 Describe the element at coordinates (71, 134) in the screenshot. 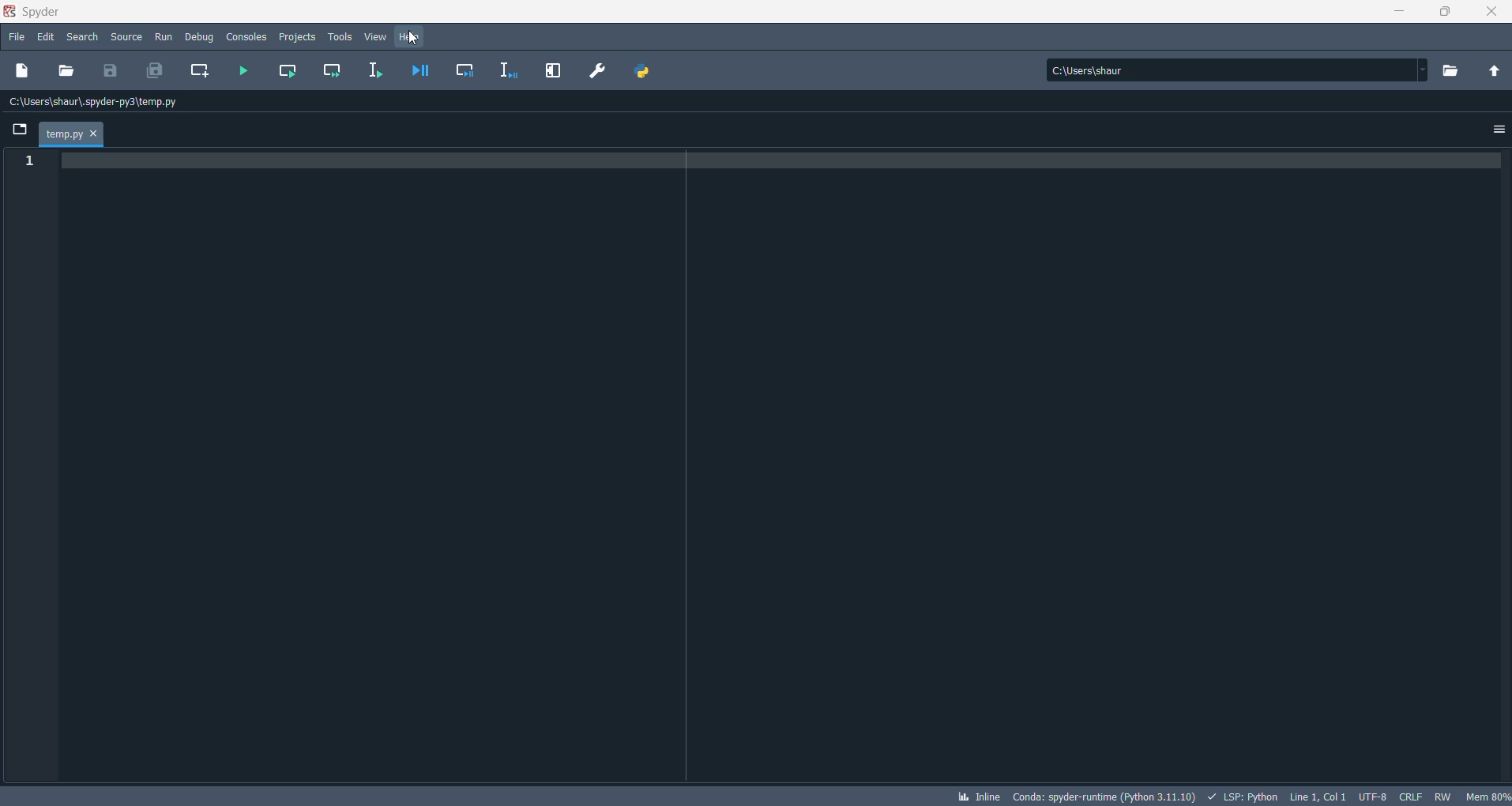

I see `file tab` at that location.